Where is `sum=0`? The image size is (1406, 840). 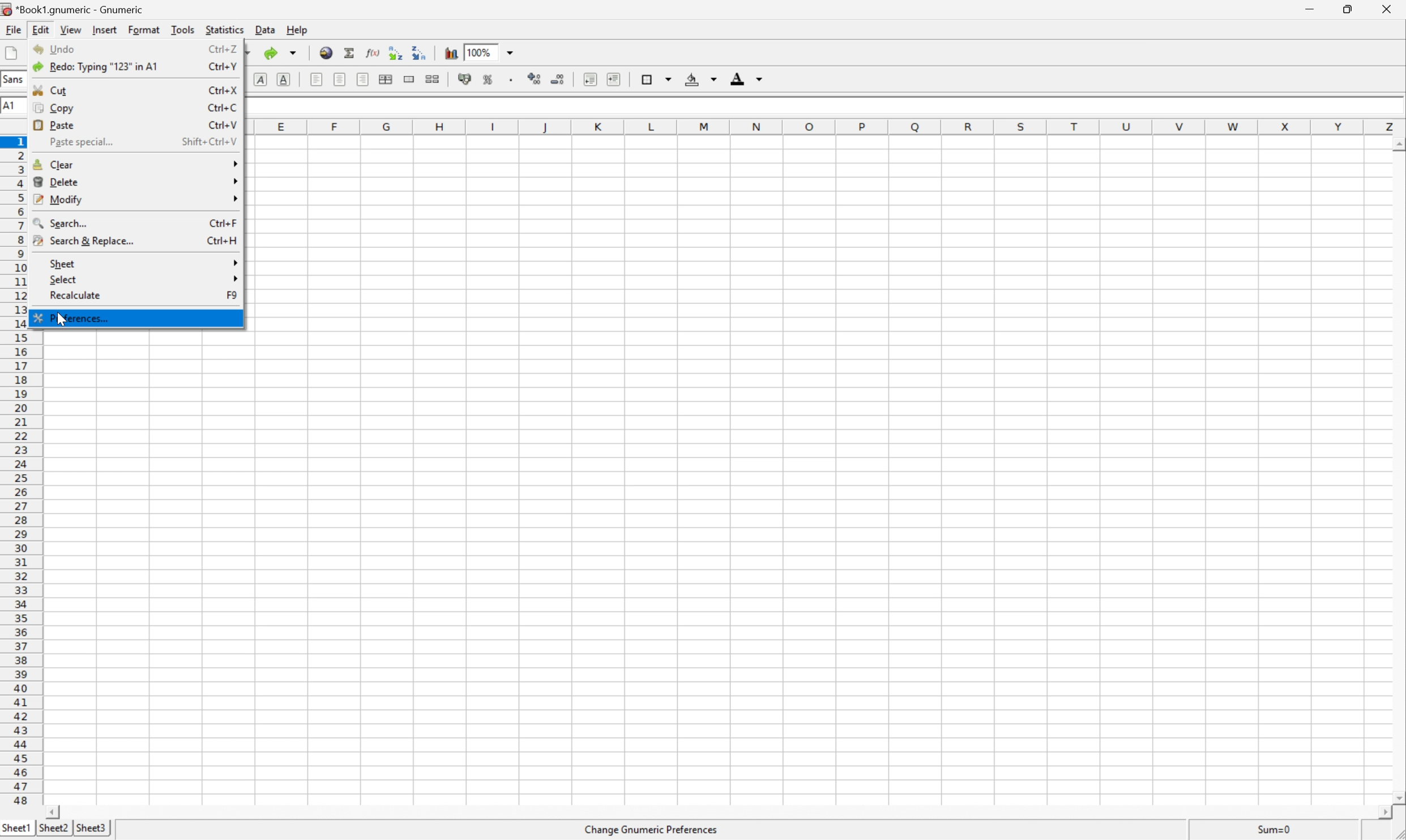 sum=0 is located at coordinates (1278, 832).